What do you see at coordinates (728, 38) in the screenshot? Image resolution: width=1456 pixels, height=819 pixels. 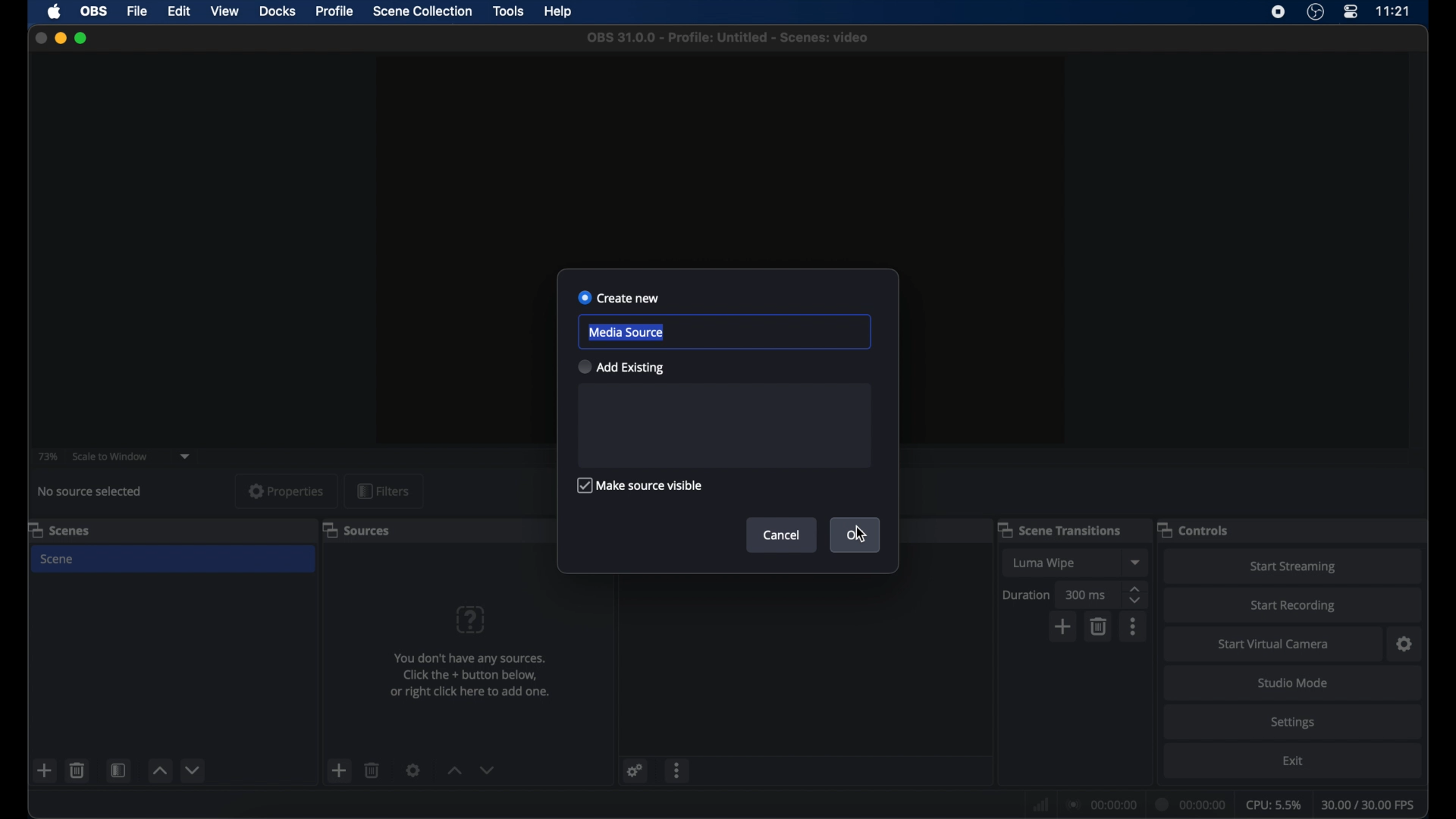 I see `file name` at bounding box center [728, 38].